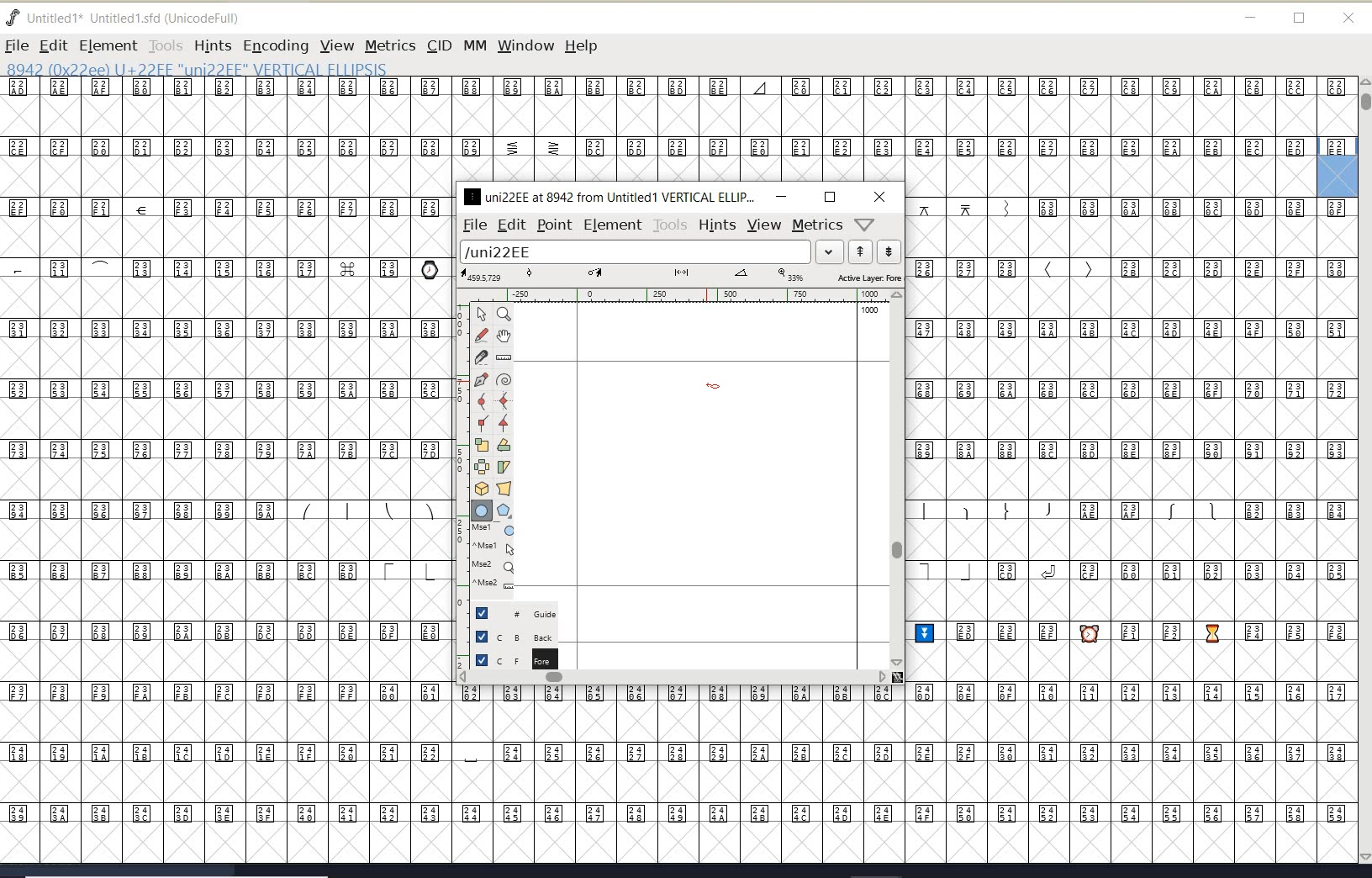  I want to click on flip the selection, so click(482, 467).